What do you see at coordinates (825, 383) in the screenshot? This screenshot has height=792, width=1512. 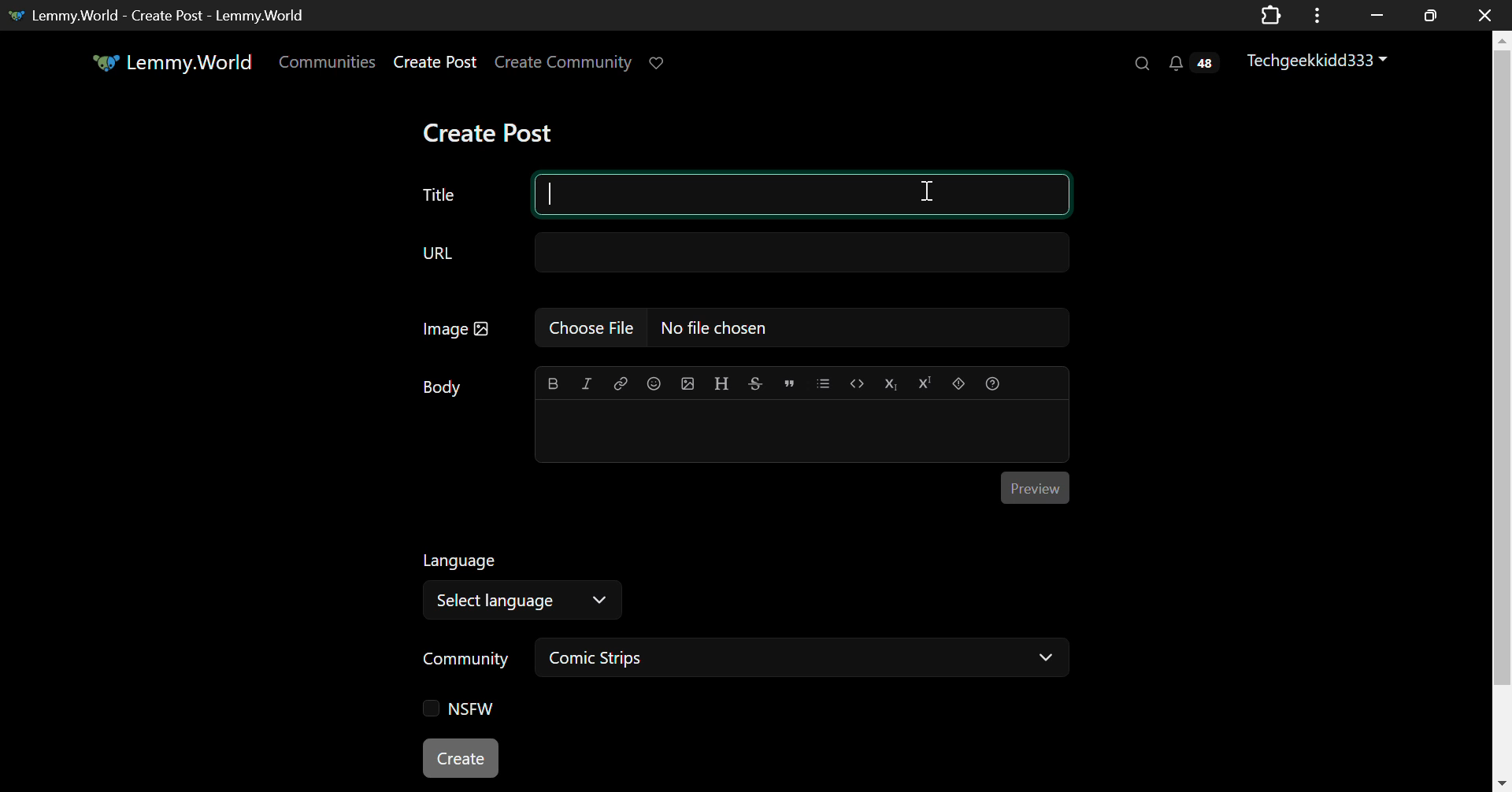 I see `list` at bounding box center [825, 383].